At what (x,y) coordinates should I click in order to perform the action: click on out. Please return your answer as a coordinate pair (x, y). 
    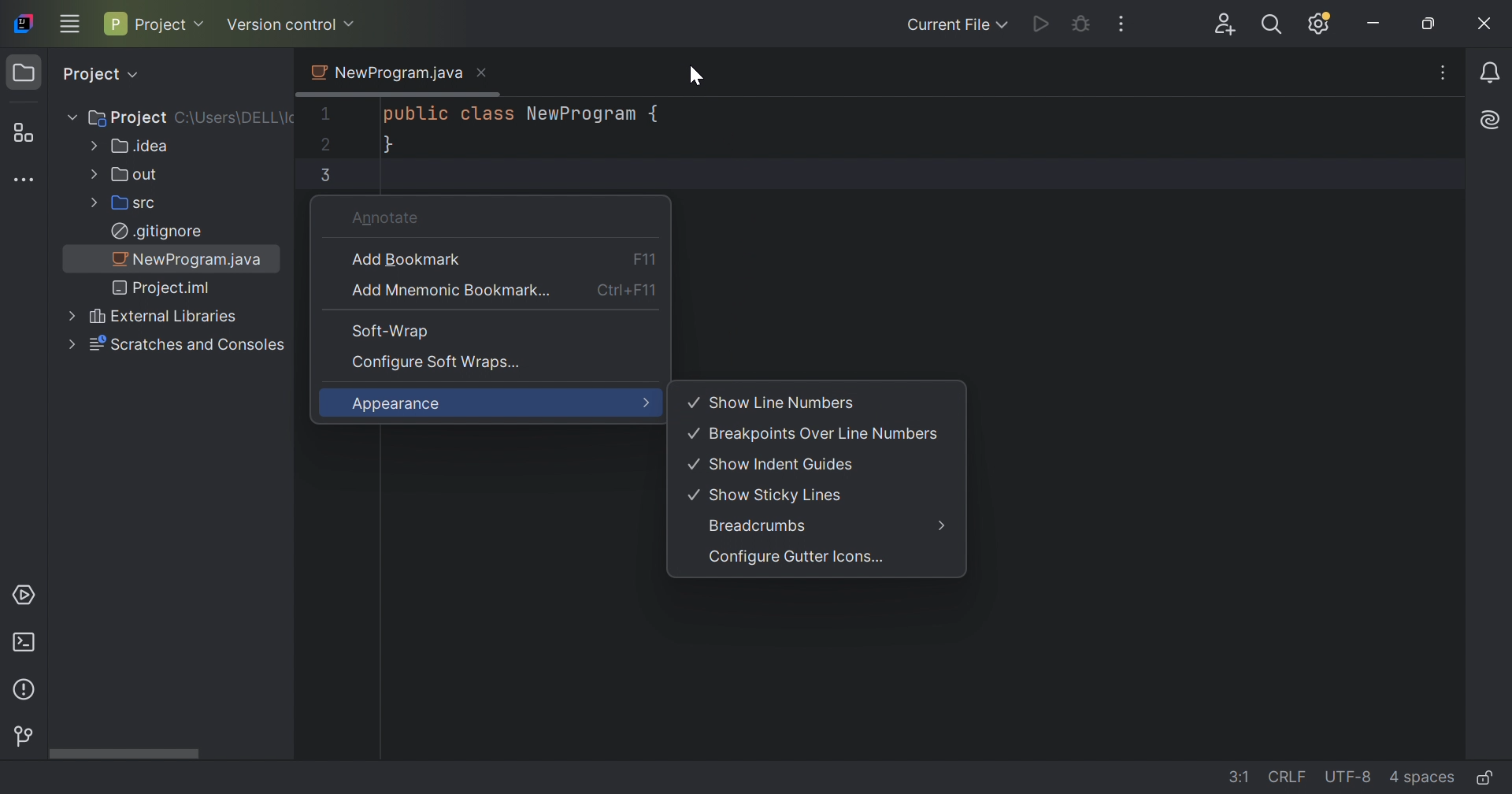
    Looking at the image, I should click on (135, 173).